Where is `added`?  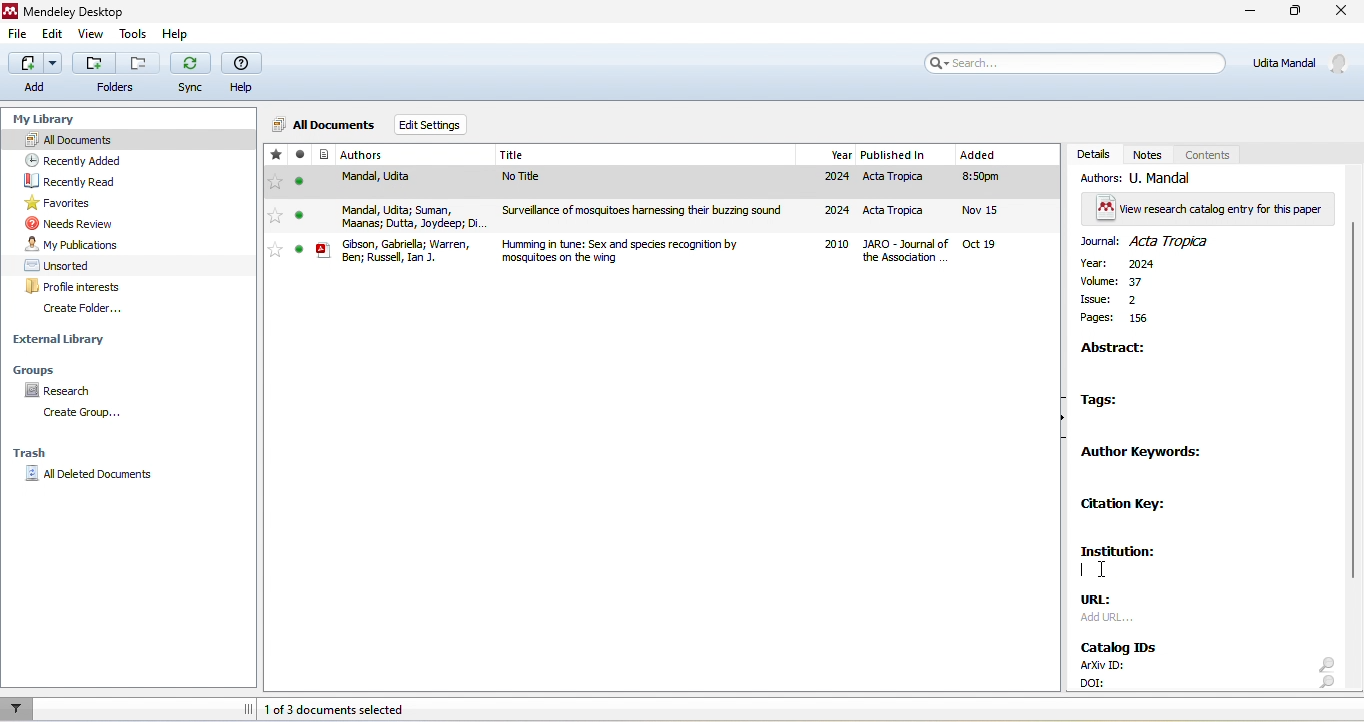
added is located at coordinates (1000, 203).